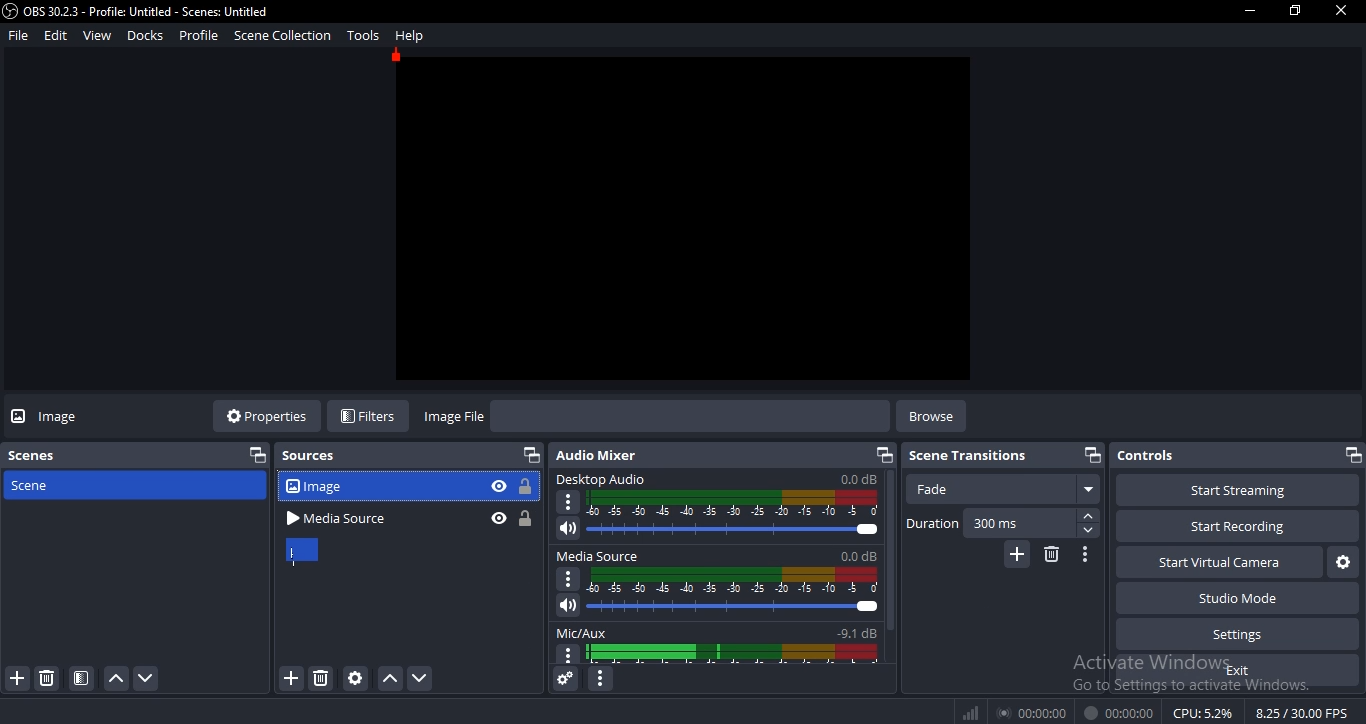 The height and width of the screenshot is (724, 1366). Describe the element at coordinates (1240, 601) in the screenshot. I see `studio mode` at that location.